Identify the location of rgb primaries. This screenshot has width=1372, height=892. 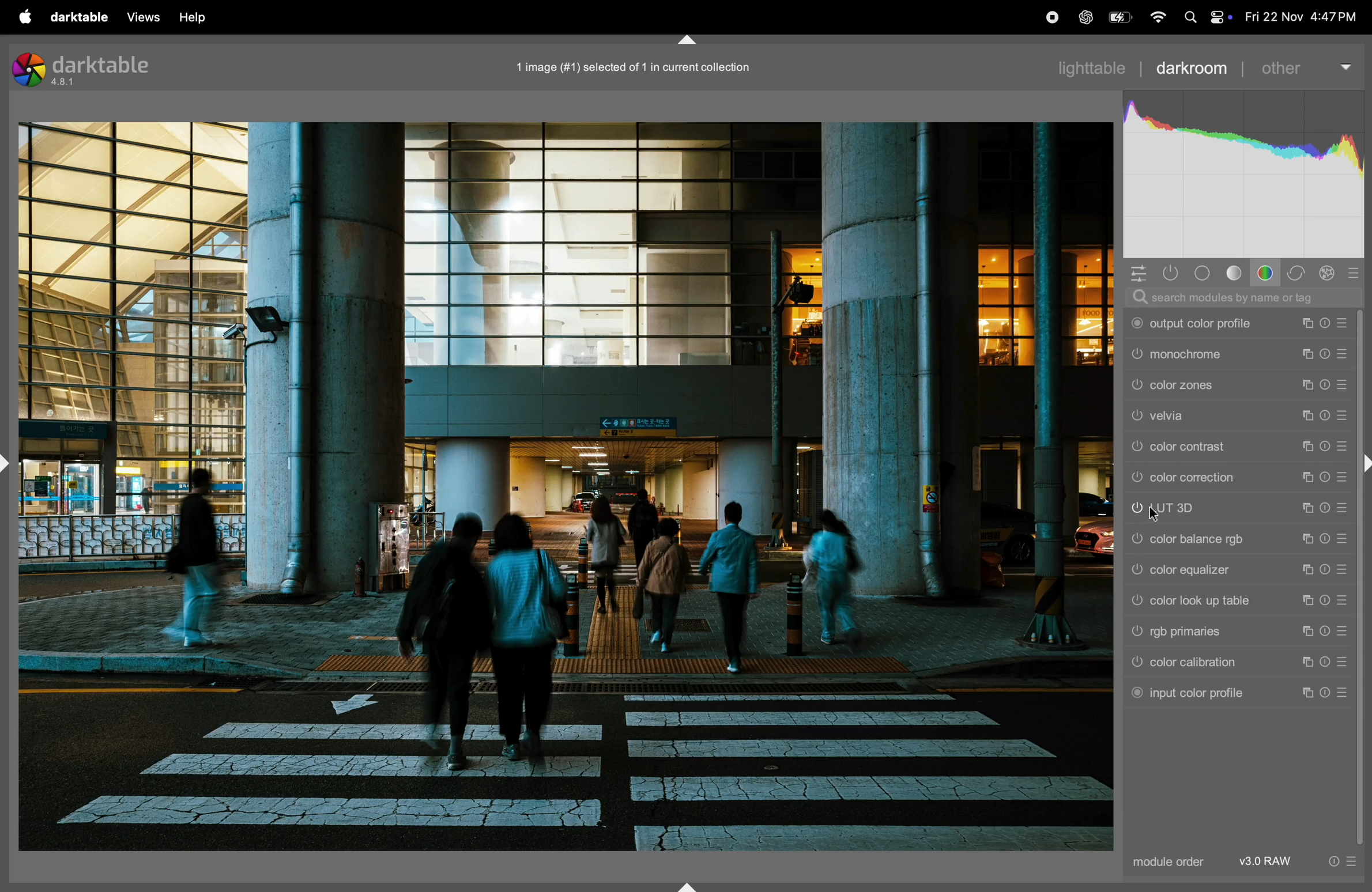
(1206, 633).